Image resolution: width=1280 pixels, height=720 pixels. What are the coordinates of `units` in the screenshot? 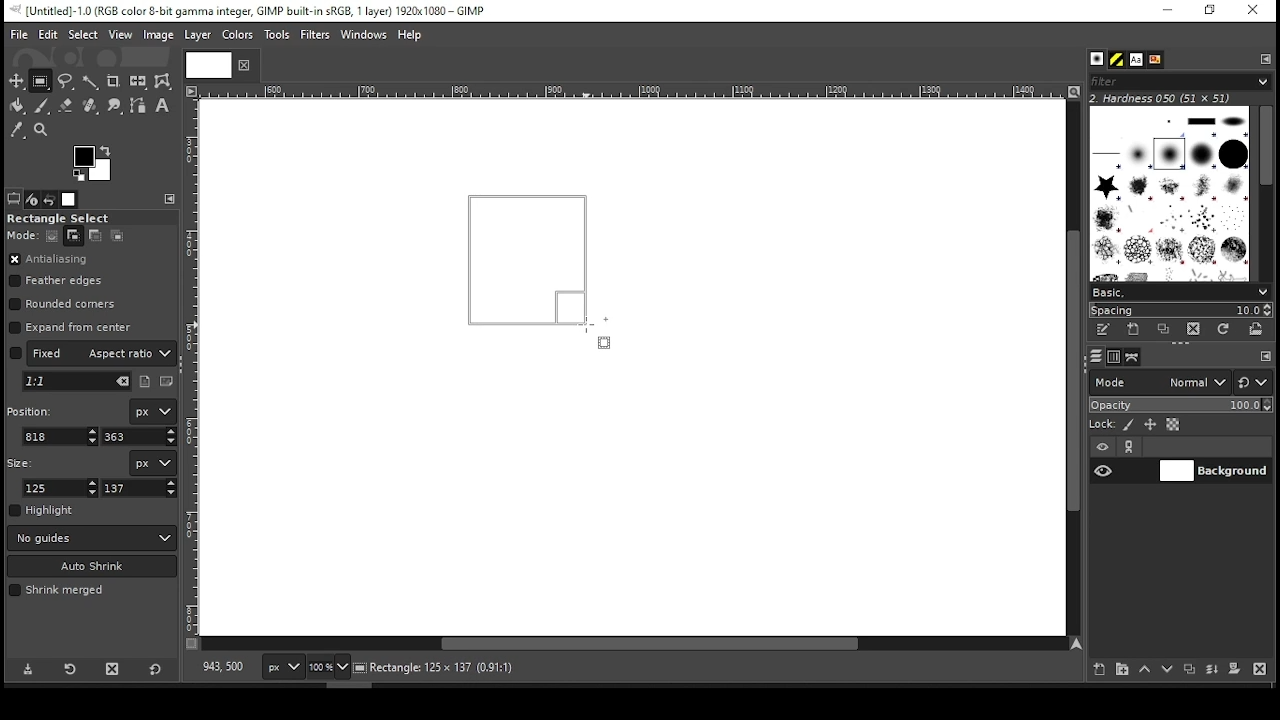 It's located at (152, 463).